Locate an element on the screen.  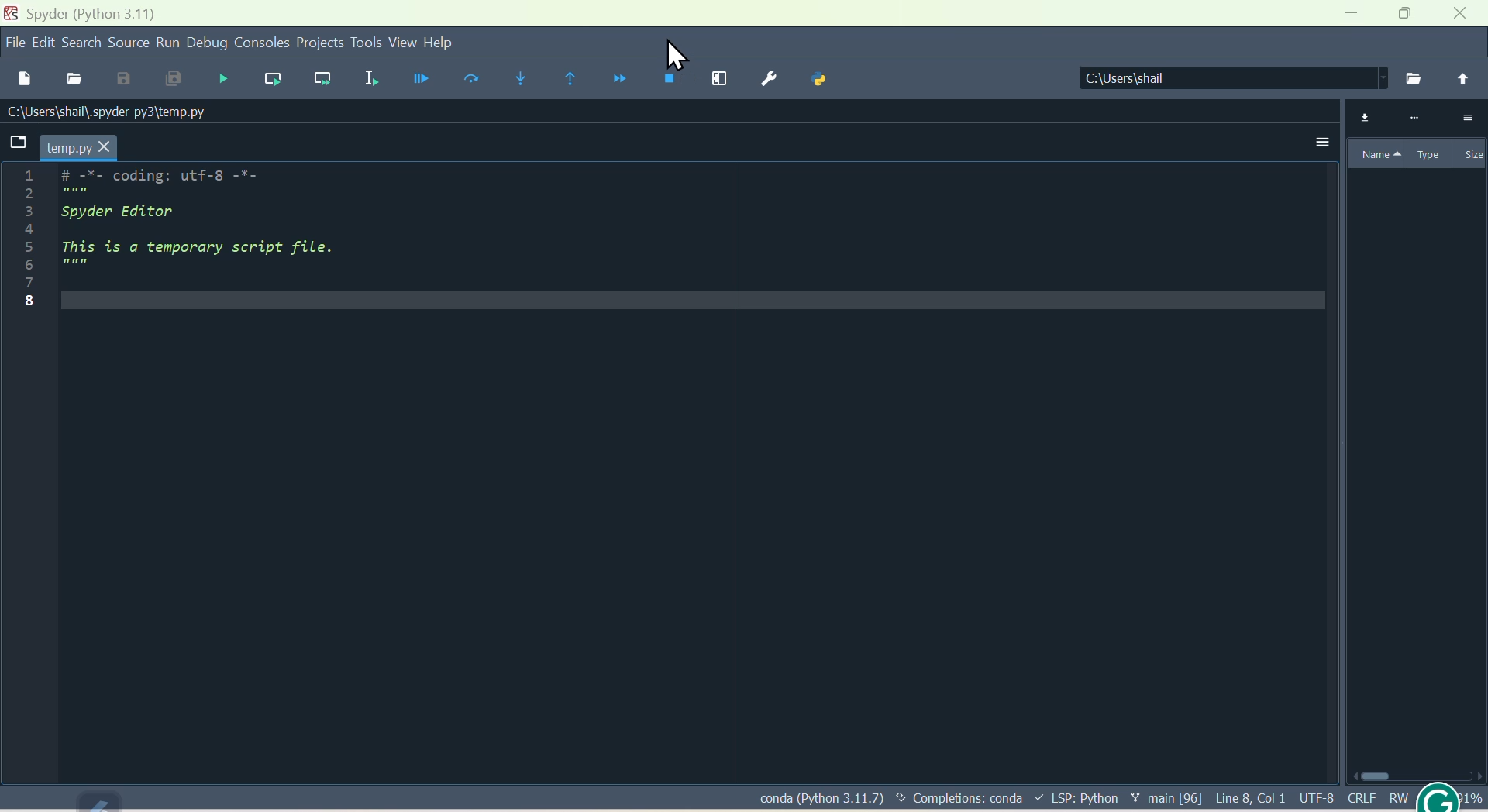
Spyder (python 3.11) is located at coordinates (88, 12).